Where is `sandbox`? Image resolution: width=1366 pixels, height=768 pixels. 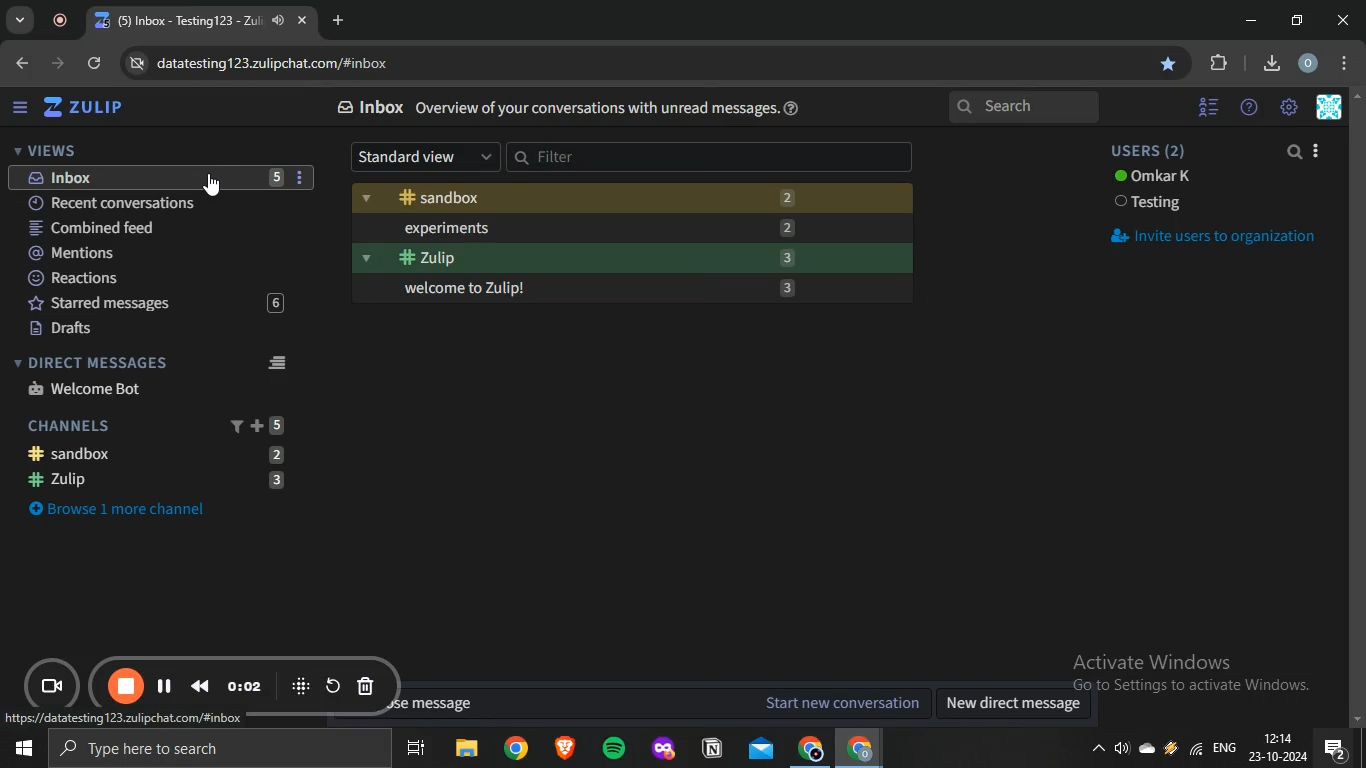 sandbox is located at coordinates (631, 199).